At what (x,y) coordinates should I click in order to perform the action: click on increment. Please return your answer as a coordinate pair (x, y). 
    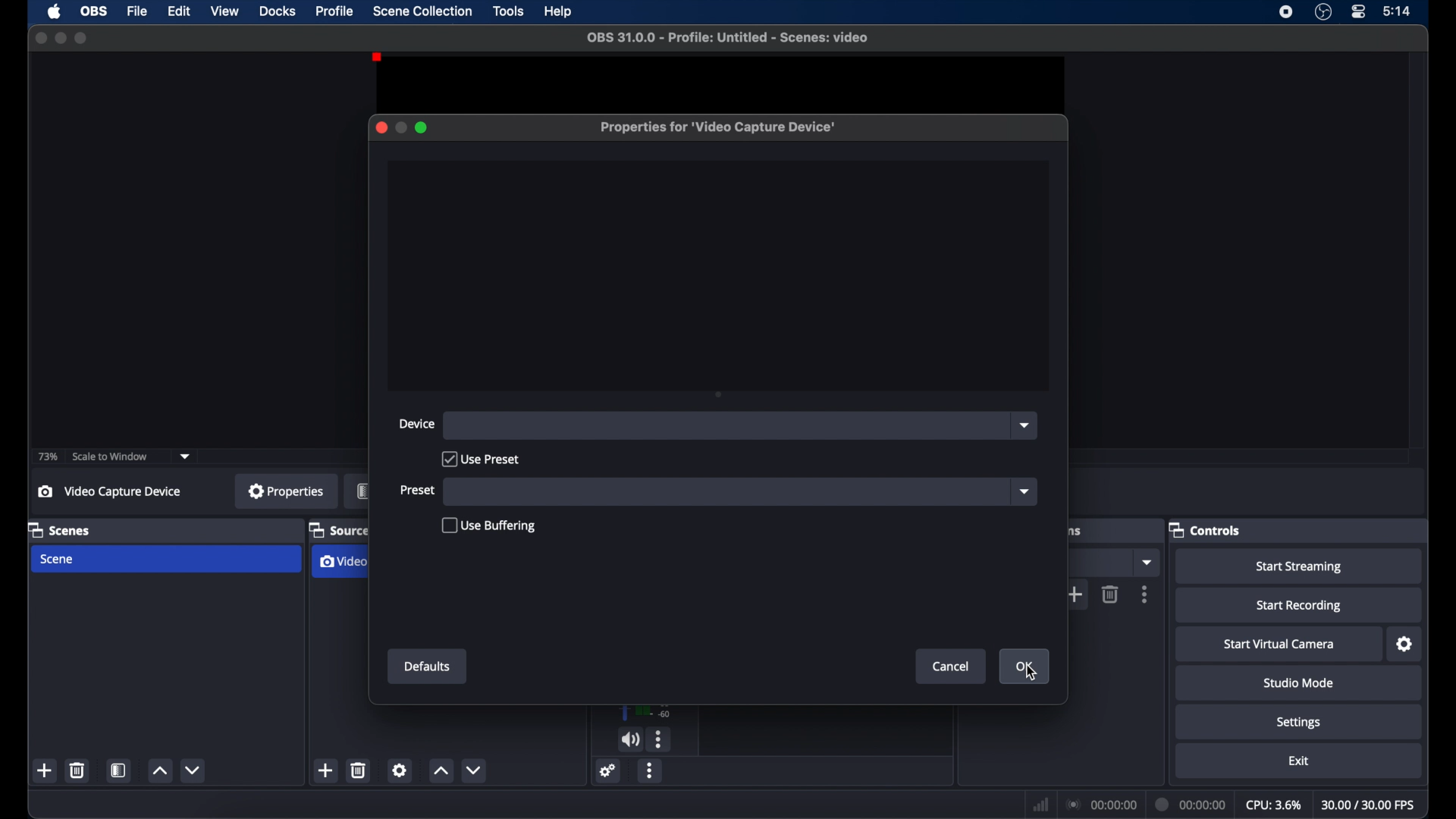
    Looking at the image, I should click on (161, 771).